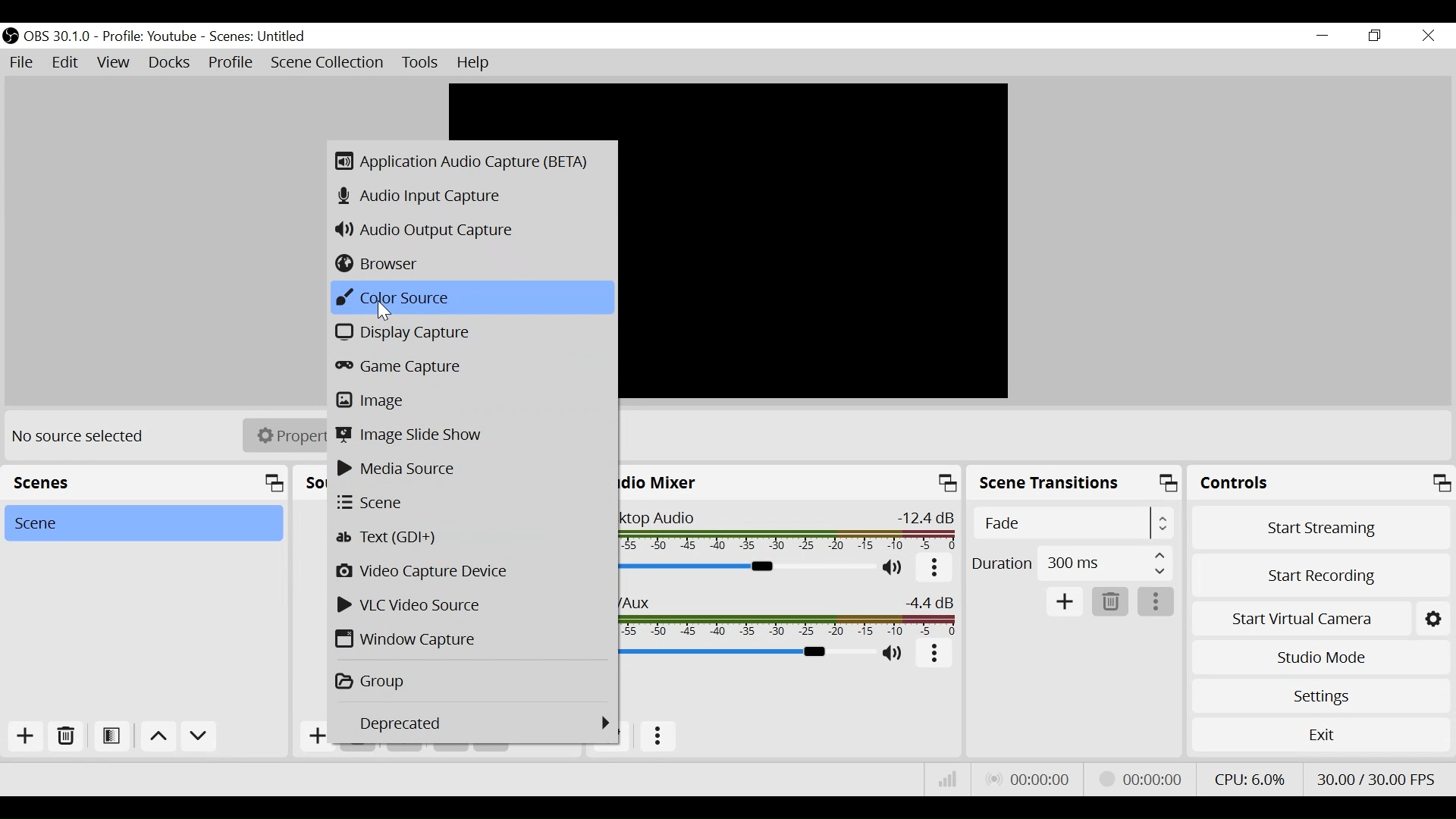 This screenshot has width=1456, height=819. What do you see at coordinates (201, 737) in the screenshot?
I see `move down` at bounding box center [201, 737].